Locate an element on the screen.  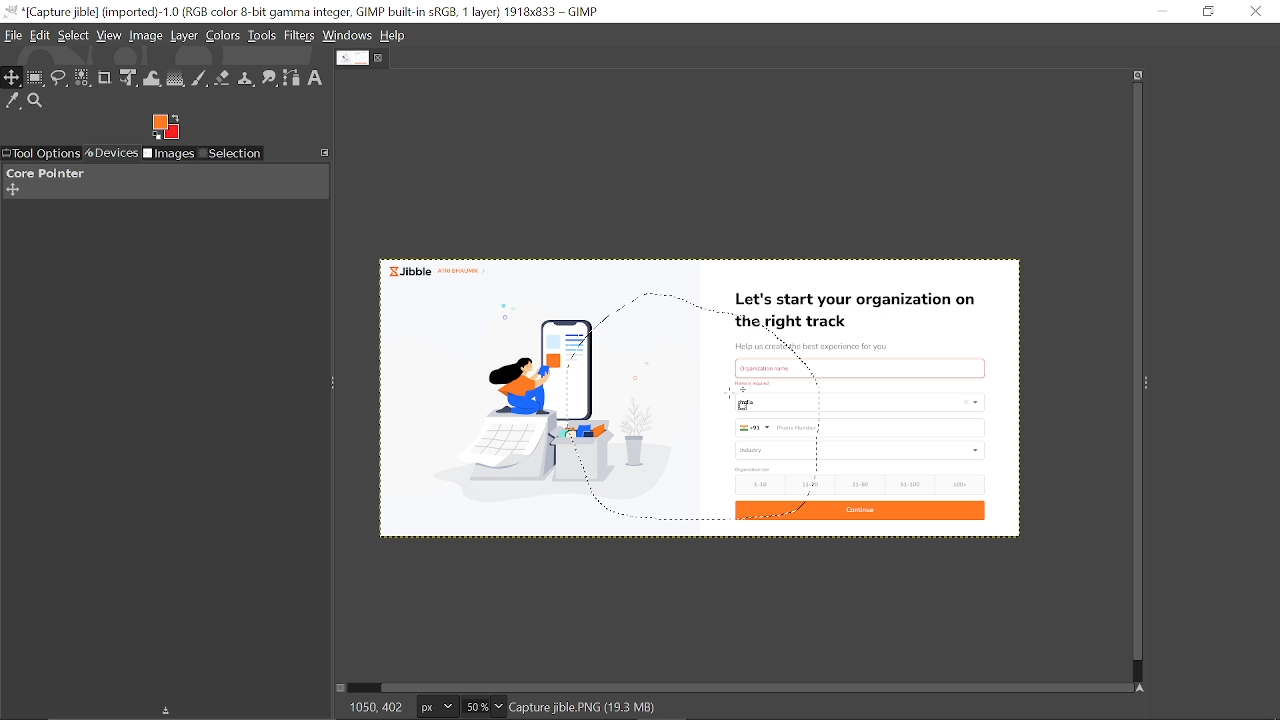
Smudge tool is located at coordinates (271, 79).